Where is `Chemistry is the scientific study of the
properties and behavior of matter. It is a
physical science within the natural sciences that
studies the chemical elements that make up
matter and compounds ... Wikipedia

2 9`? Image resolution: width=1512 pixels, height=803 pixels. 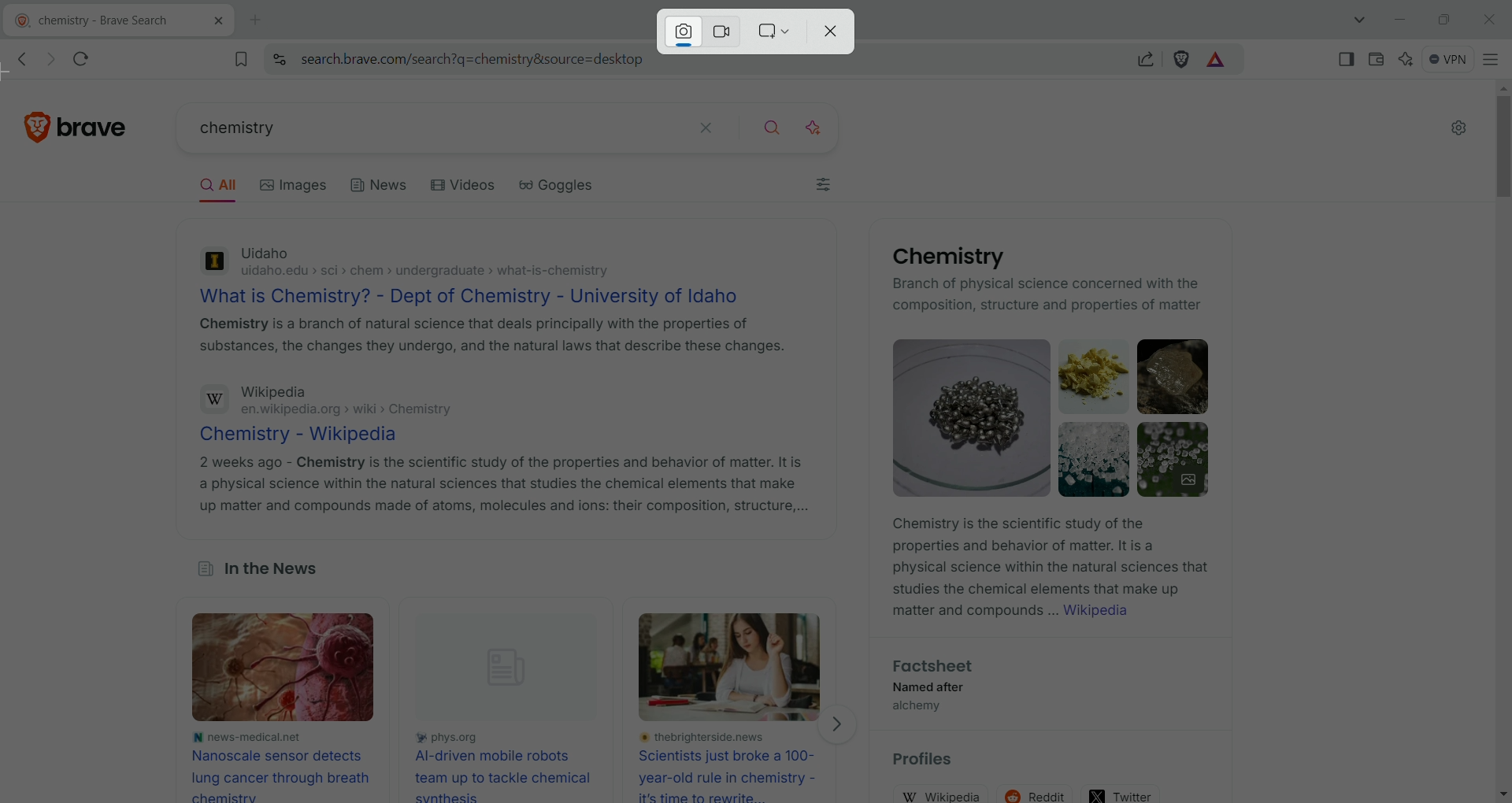 Chemistry is the scientific study of the
properties and behavior of matter. It is a
physical science within the natural sciences that
studies the chemical elements that make up
matter and compounds ... Wikipedia

2 9 is located at coordinates (1047, 572).